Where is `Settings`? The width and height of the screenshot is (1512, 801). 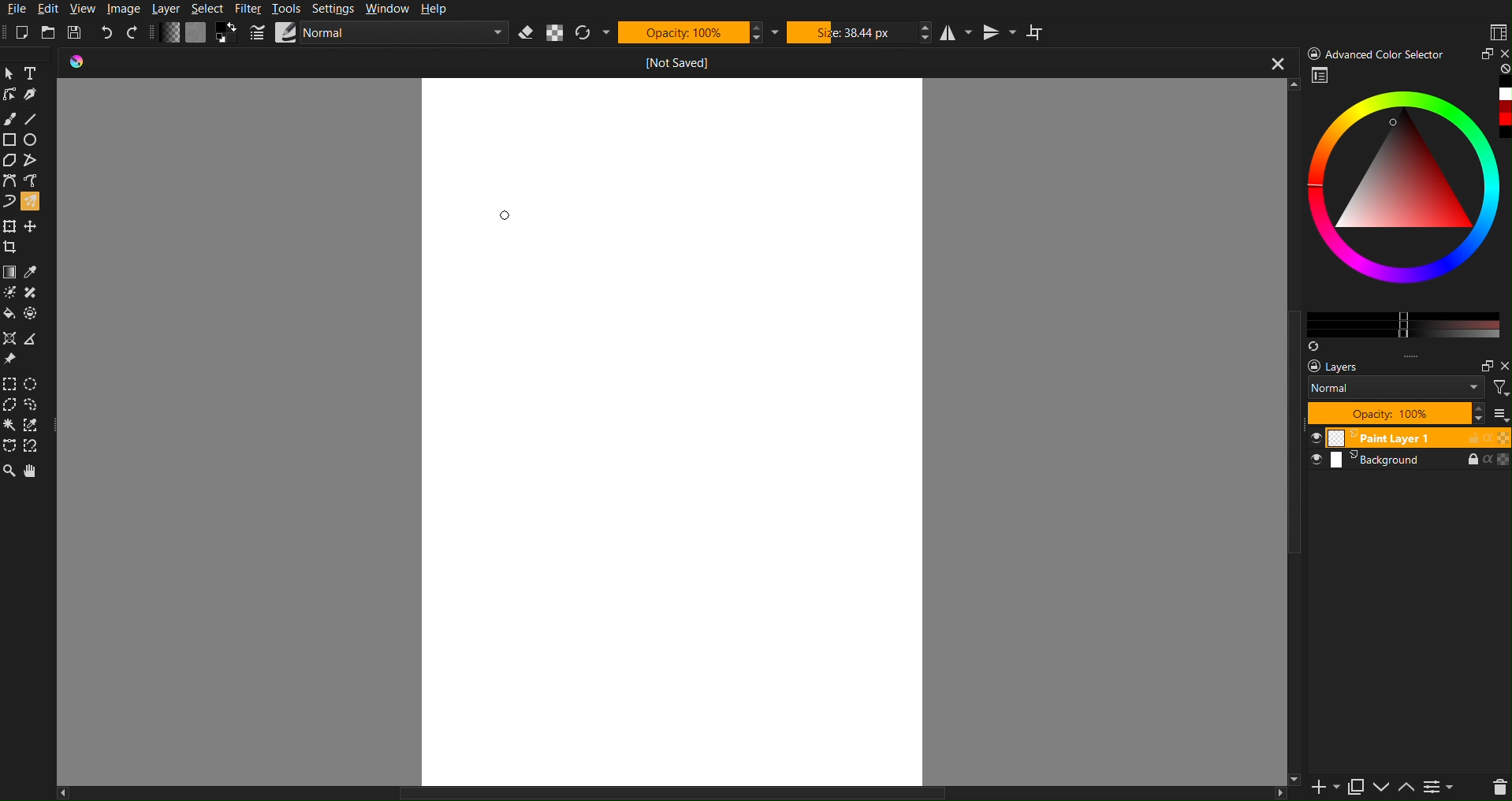
Settings is located at coordinates (337, 9).